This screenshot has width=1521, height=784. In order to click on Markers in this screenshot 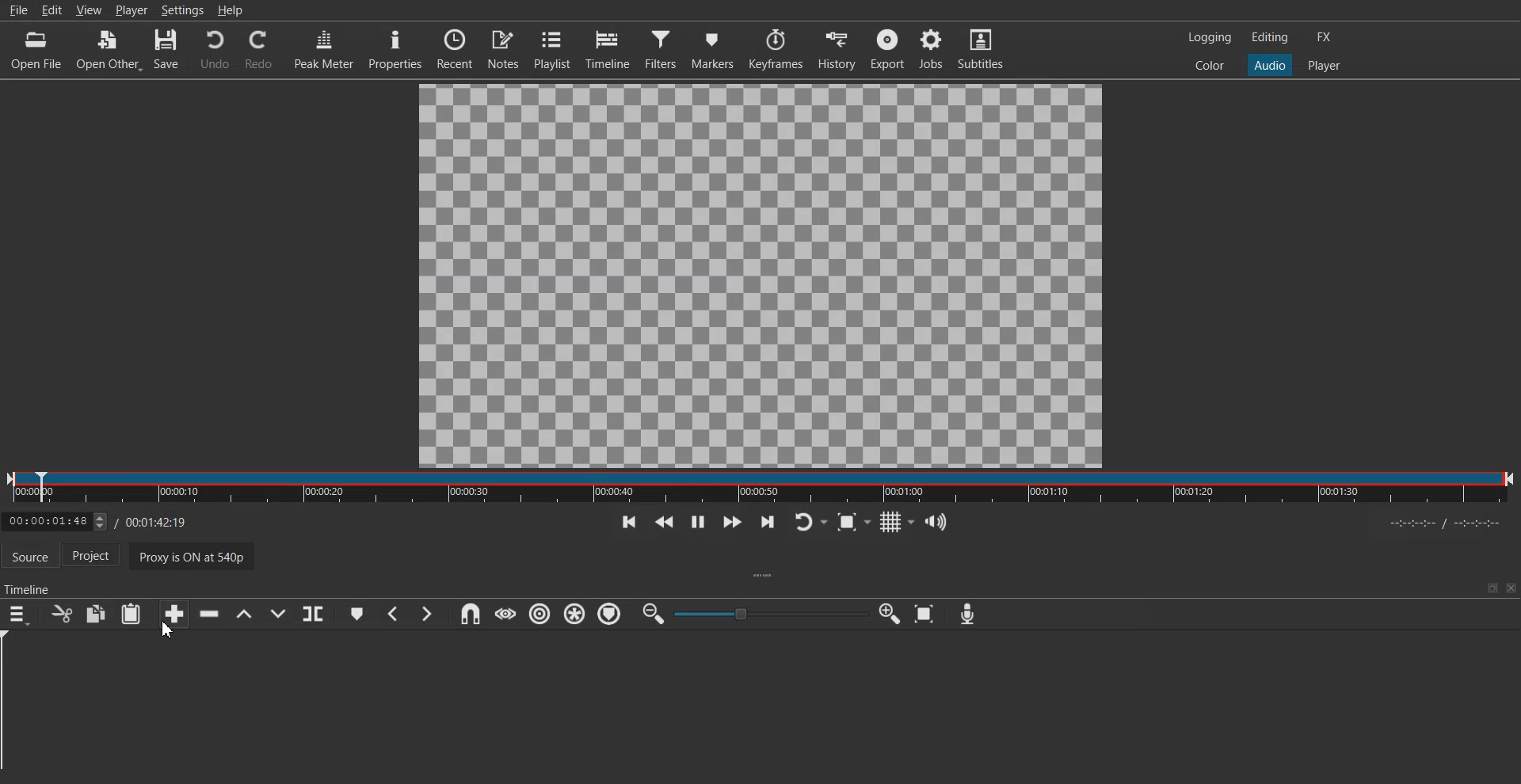, I will do `click(715, 48)`.